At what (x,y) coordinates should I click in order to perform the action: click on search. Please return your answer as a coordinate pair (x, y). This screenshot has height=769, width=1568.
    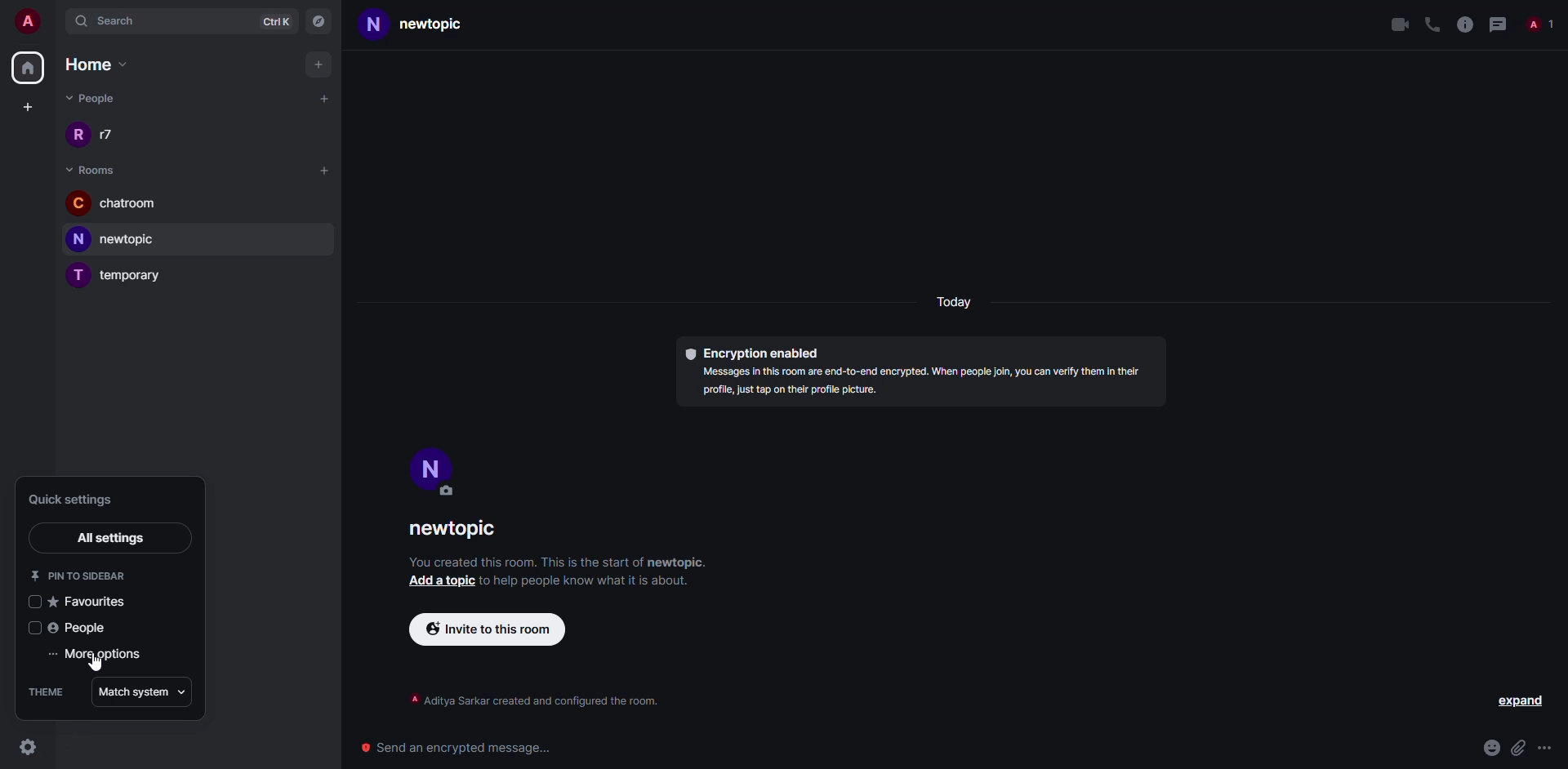
    Looking at the image, I should click on (123, 23).